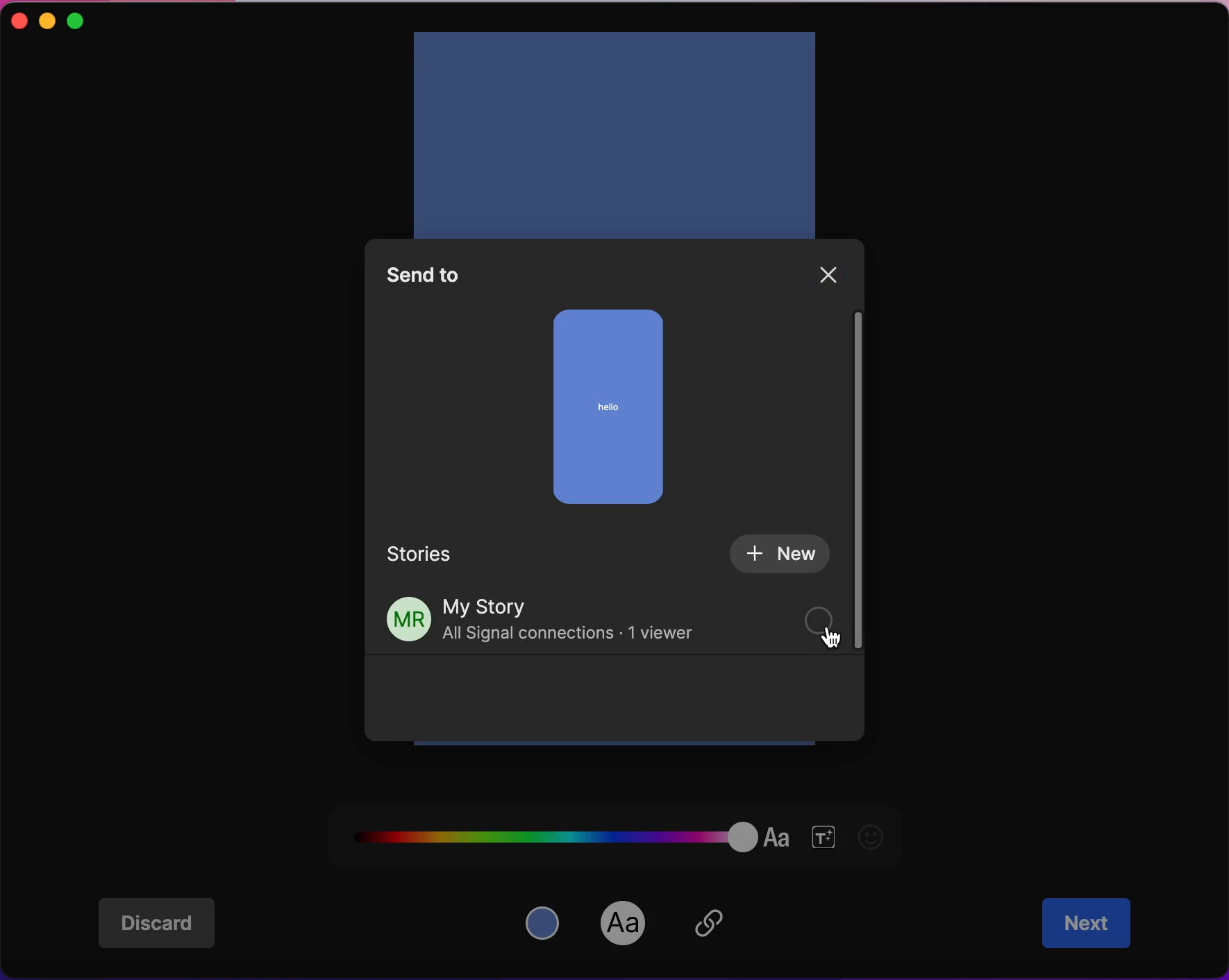 The width and height of the screenshot is (1229, 980). Describe the element at coordinates (778, 552) in the screenshot. I see `new` at that location.